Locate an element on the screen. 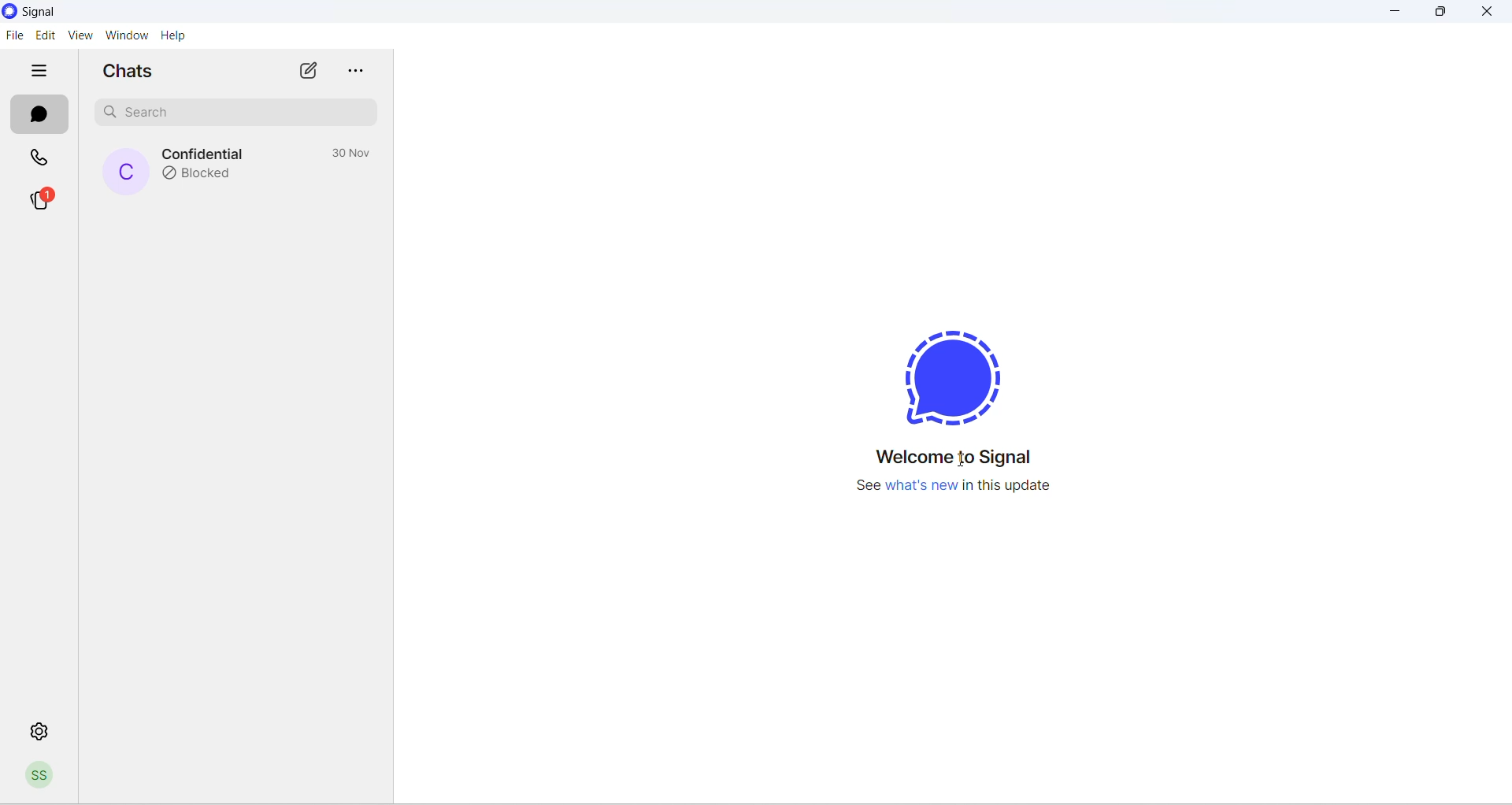 The image size is (1512, 805). profile is located at coordinates (40, 777).